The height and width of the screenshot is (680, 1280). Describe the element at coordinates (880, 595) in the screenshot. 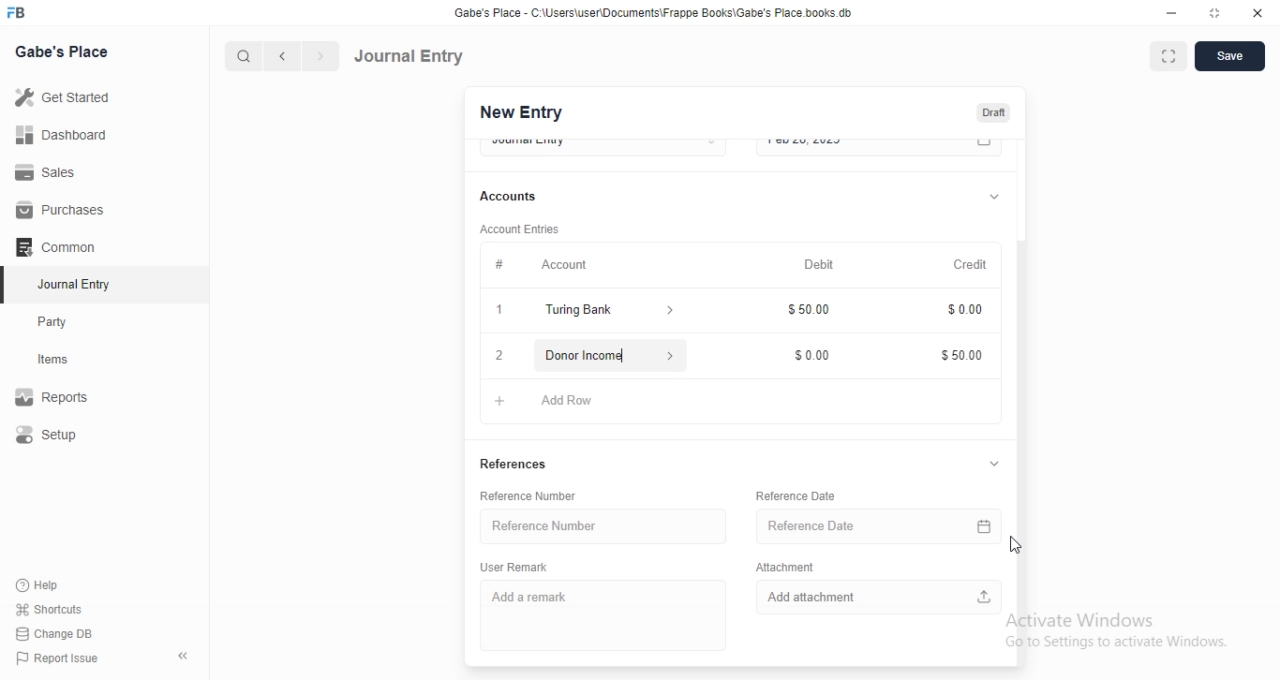

I see `Add attachment` at that location.